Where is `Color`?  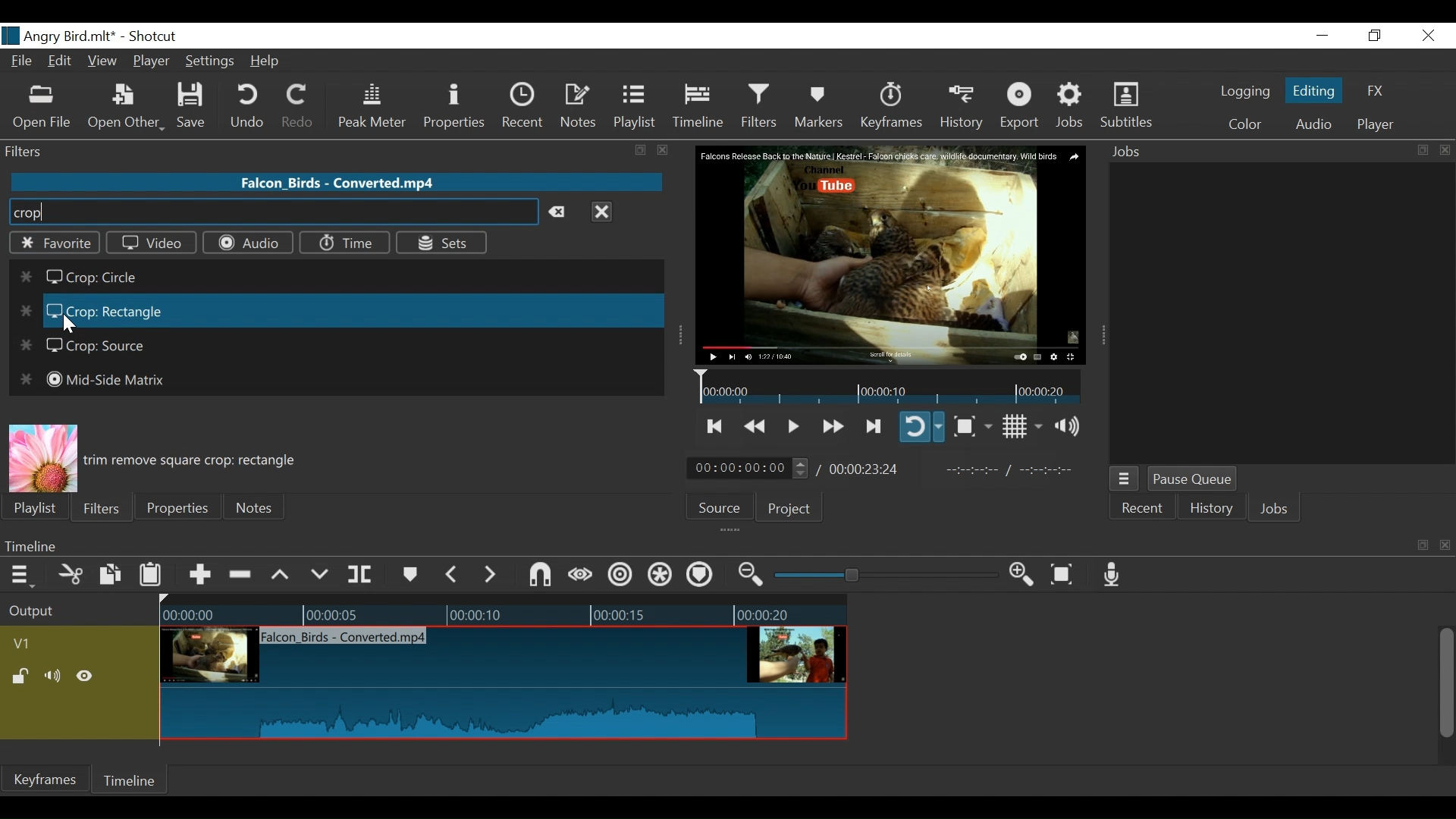 Color is located at coordinates (1241, 124).